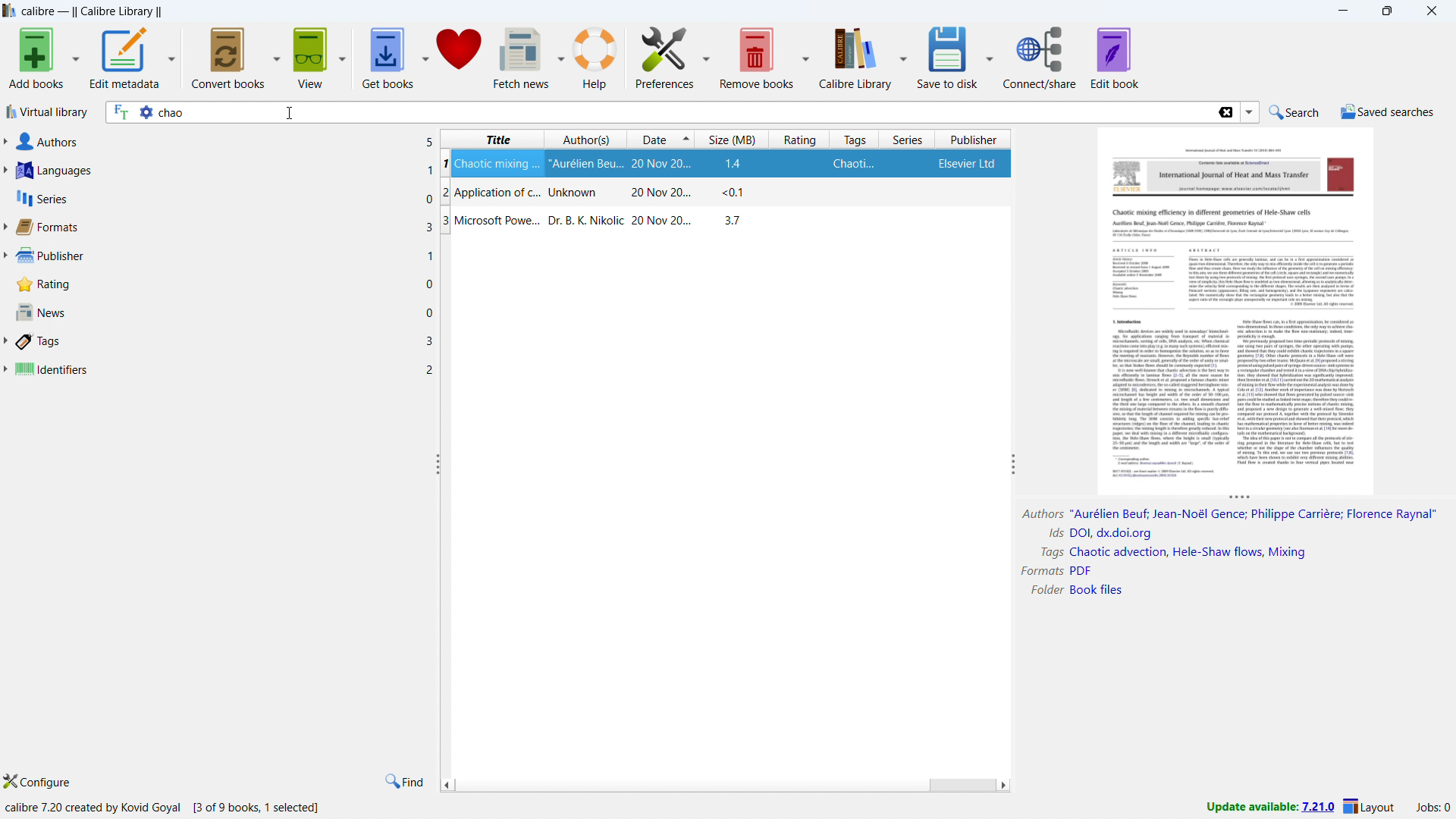  Describe the element at coordinates (224, 255) in the screenshot. I see `publisher` at that location.